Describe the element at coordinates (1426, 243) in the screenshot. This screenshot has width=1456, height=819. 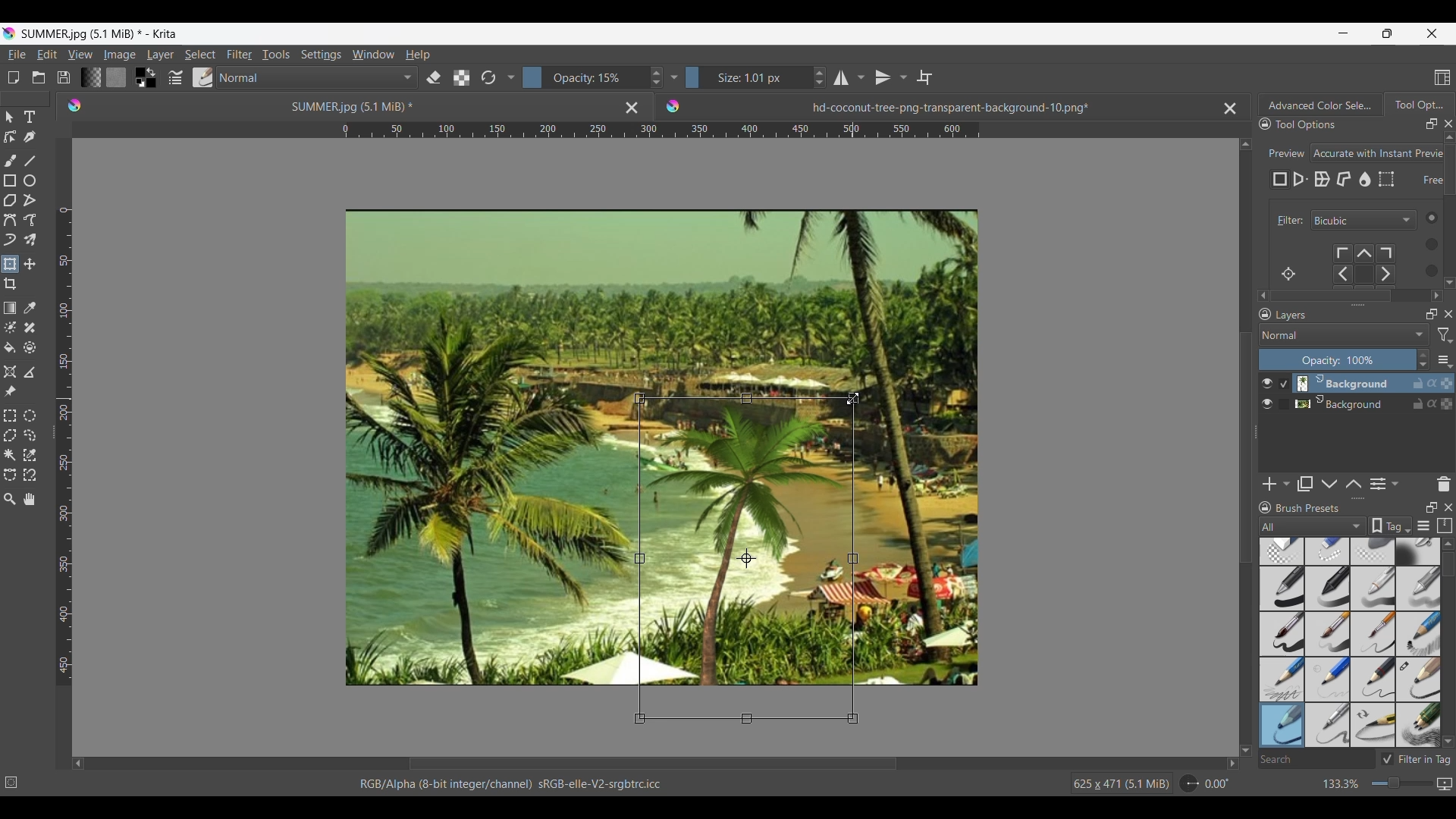
I see `Select` at that location.